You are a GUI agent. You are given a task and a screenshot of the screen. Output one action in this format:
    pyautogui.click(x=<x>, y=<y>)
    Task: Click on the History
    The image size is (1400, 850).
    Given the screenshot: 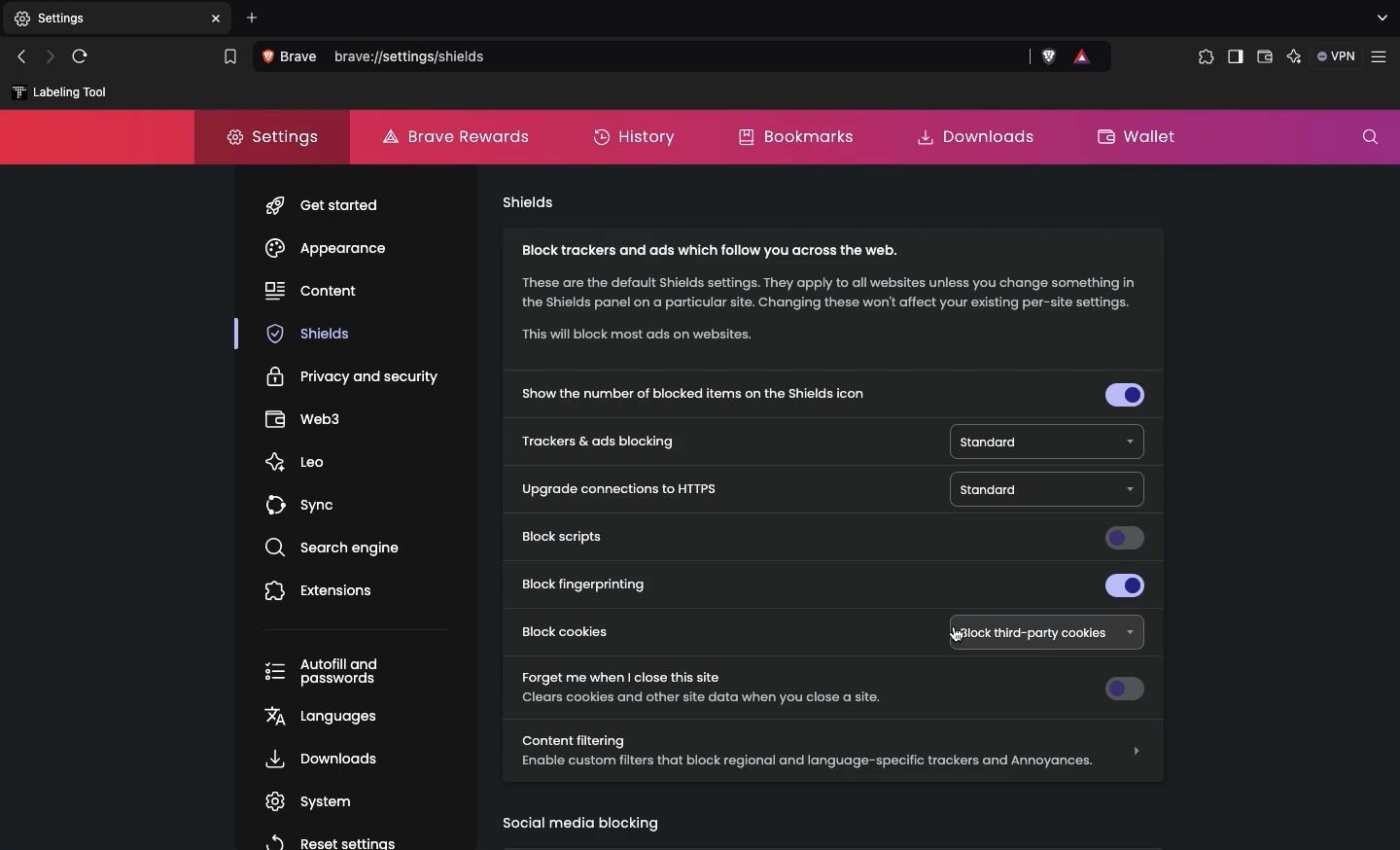 What is the action you would take?
    pyautogui.click(x=638, y=137)
    